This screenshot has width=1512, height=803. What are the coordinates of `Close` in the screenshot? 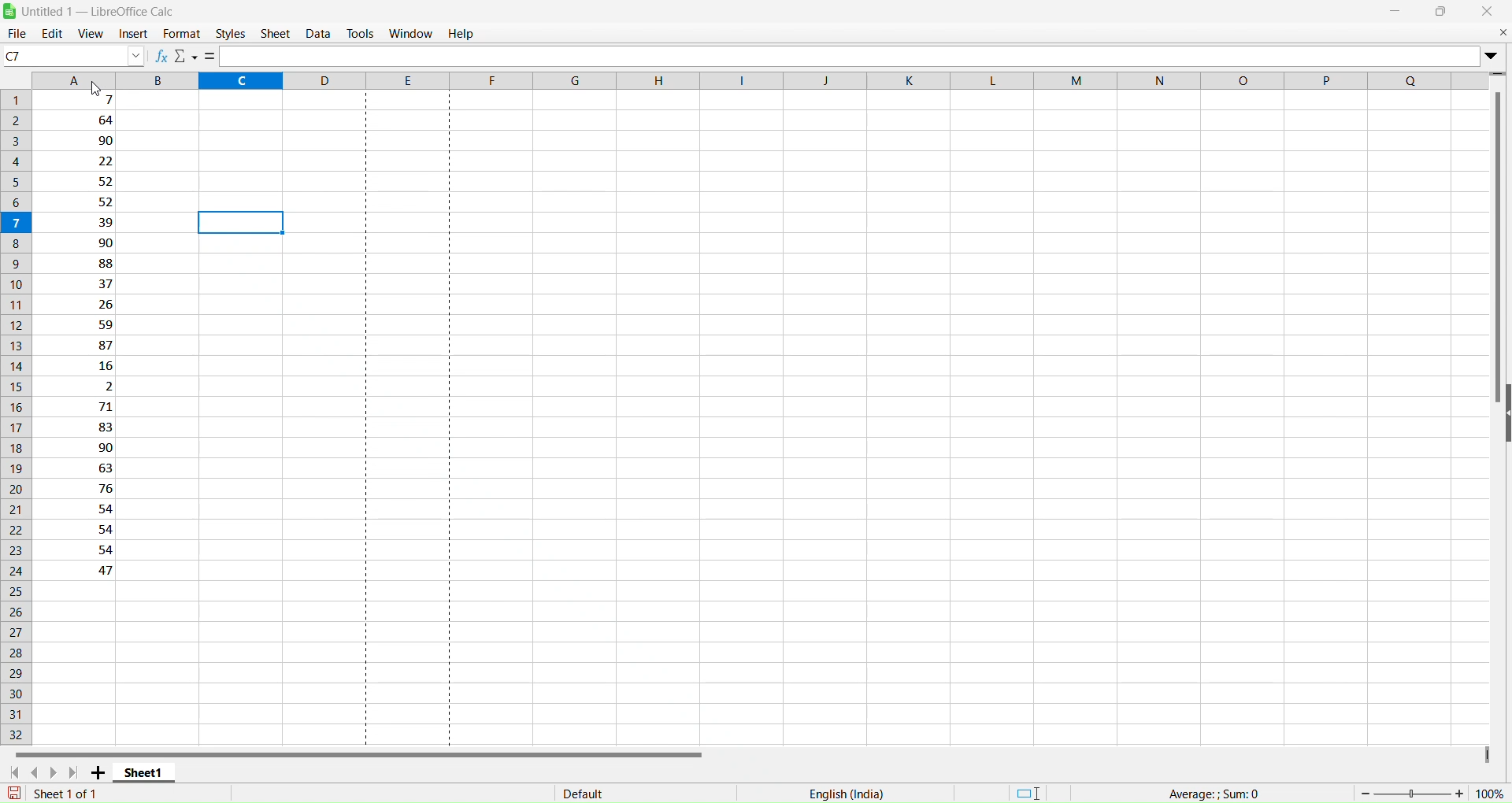 It's located at (1487, 11).